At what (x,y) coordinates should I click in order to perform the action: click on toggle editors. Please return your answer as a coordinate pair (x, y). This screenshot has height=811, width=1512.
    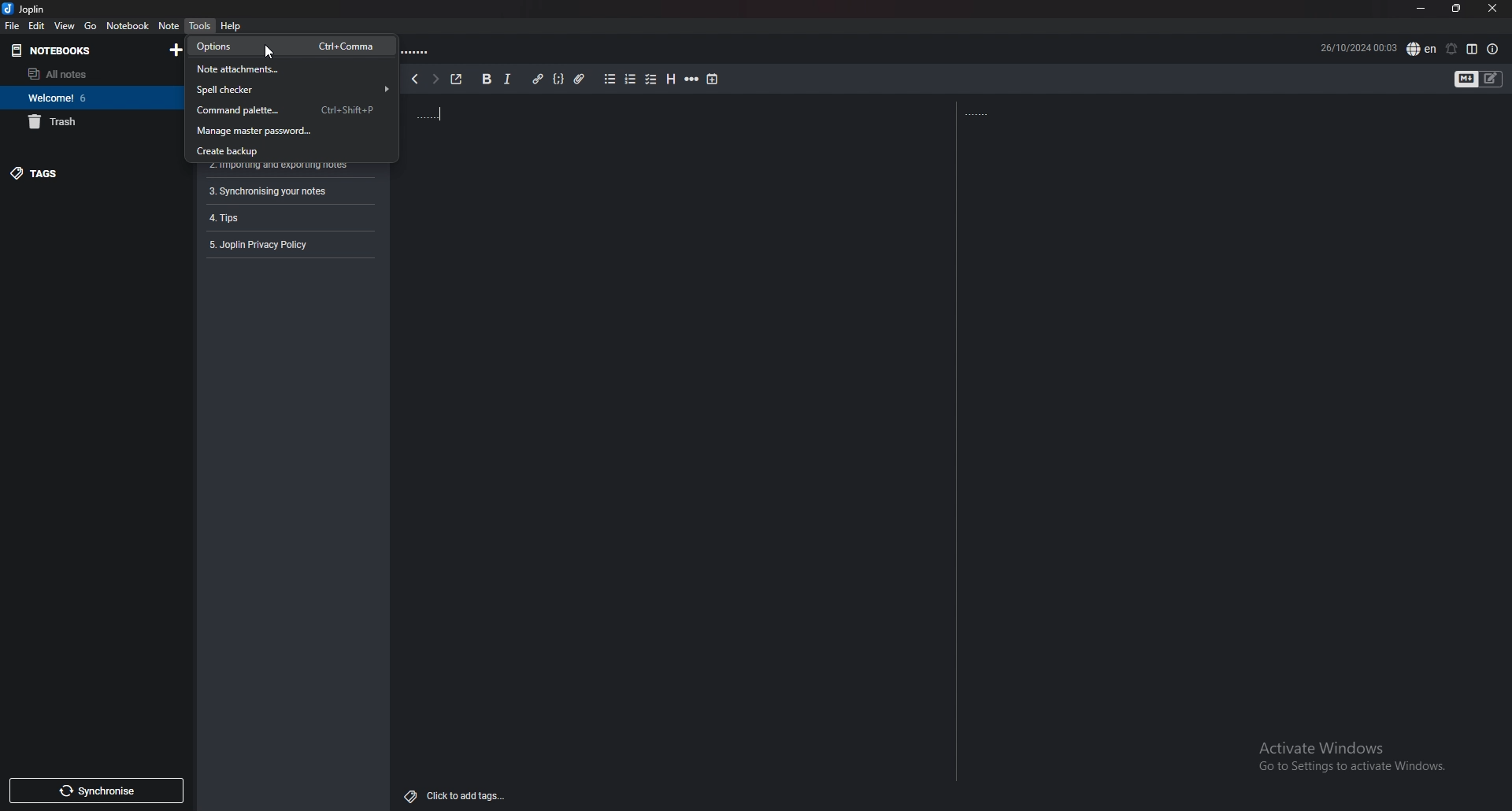
    Looking at the image, I should click on (1466, 79).